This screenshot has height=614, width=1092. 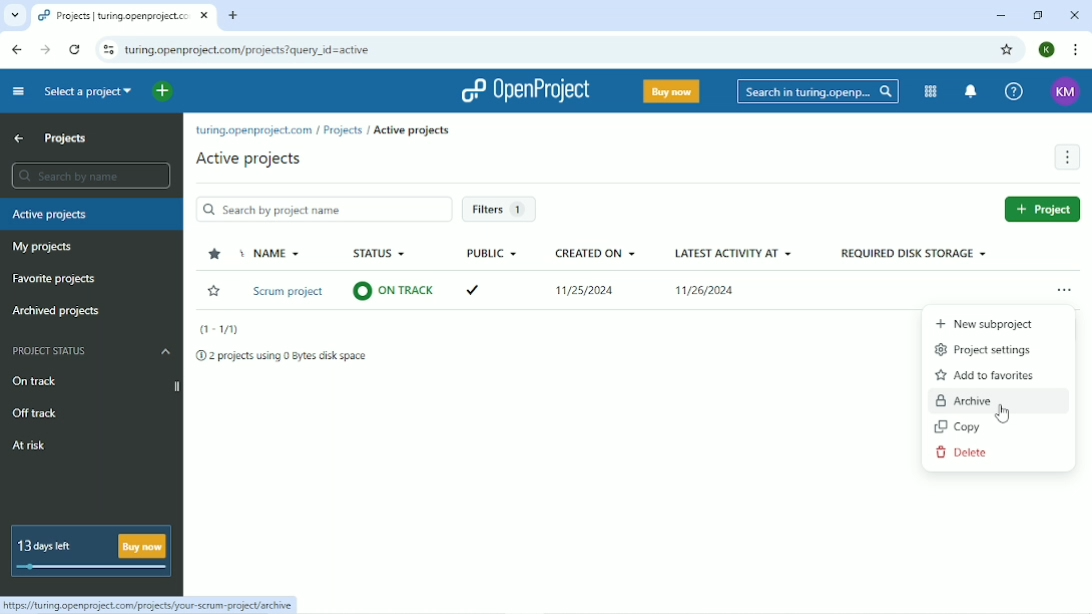 What do you see at coordinates (970, 92) in the screenshot?
I see `To notification center` at bounding box center [970, 92].